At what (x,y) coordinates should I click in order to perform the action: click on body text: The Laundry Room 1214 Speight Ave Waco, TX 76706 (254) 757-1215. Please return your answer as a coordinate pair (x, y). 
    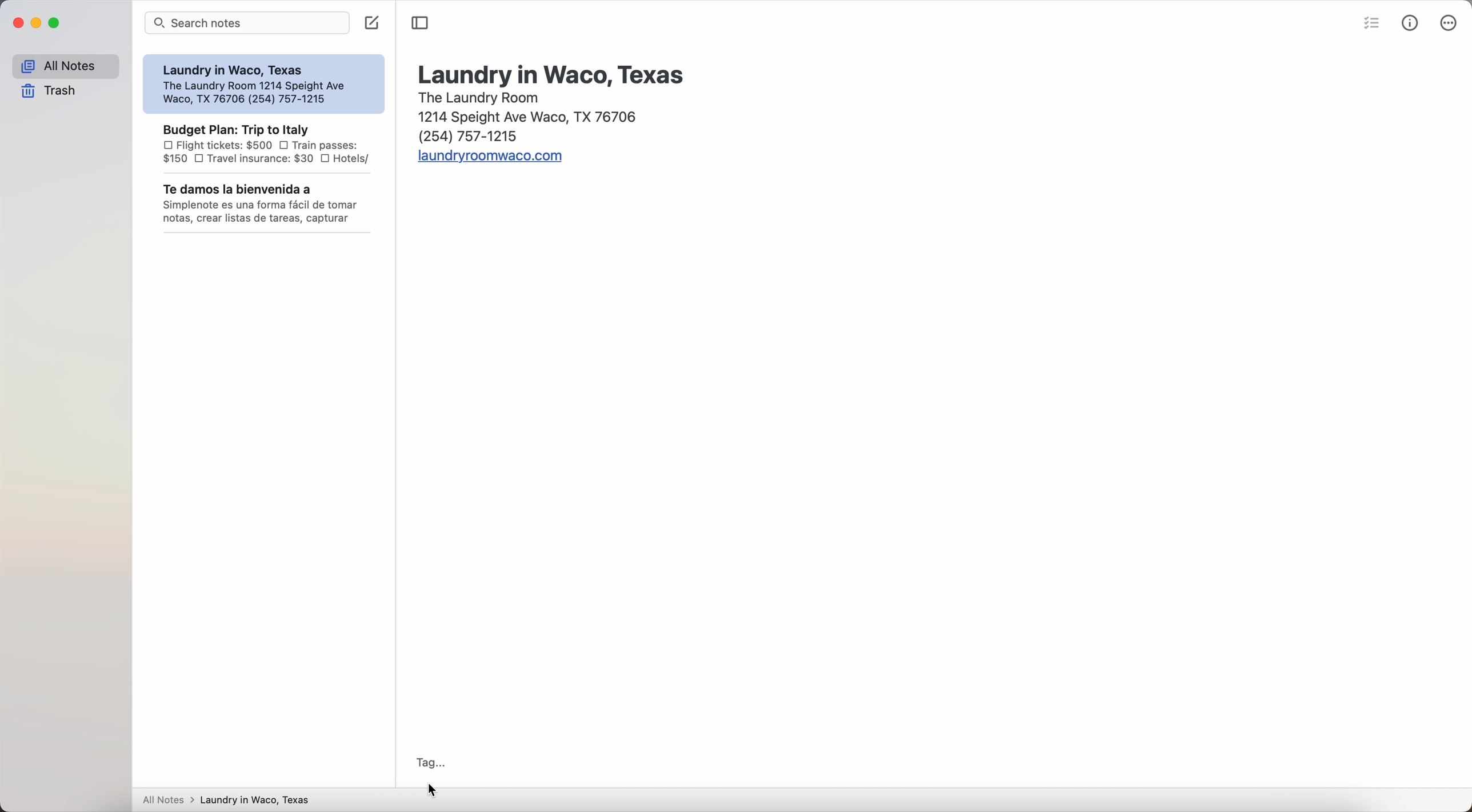
    Looking at the image, I should click on (523, 117).